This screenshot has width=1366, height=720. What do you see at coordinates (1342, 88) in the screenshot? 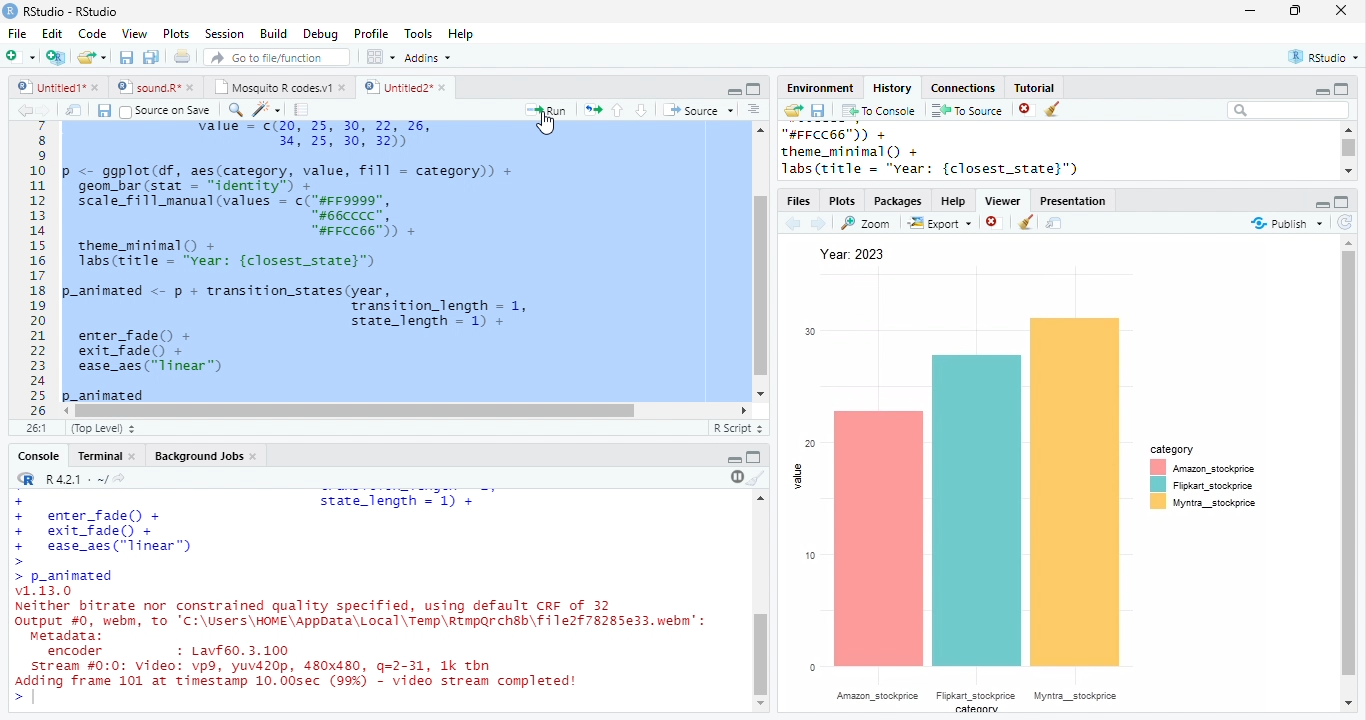
I see `maximize` at bounding box center [1342, 88].